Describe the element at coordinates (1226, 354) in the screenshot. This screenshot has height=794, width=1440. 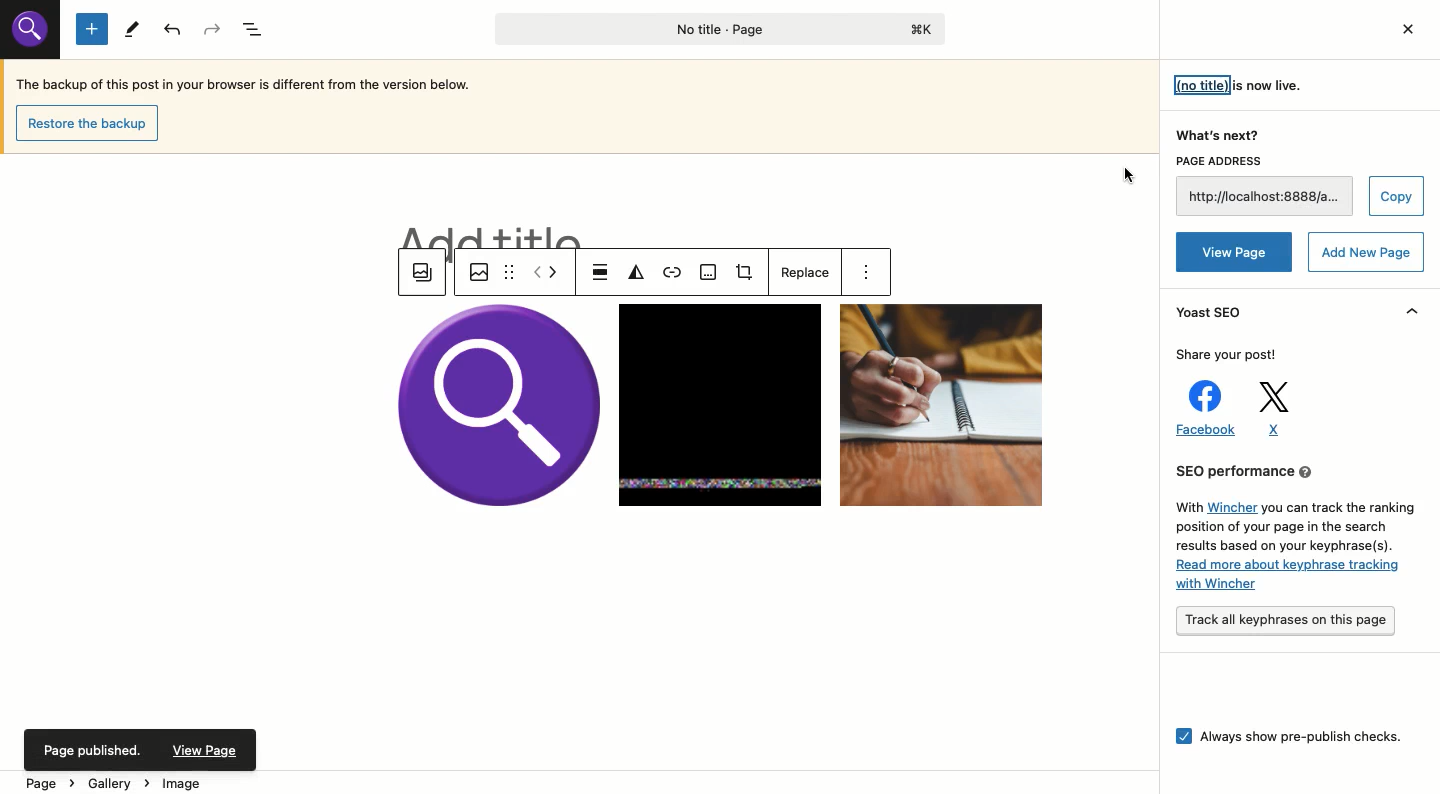
I see `Shared your post` at that location.